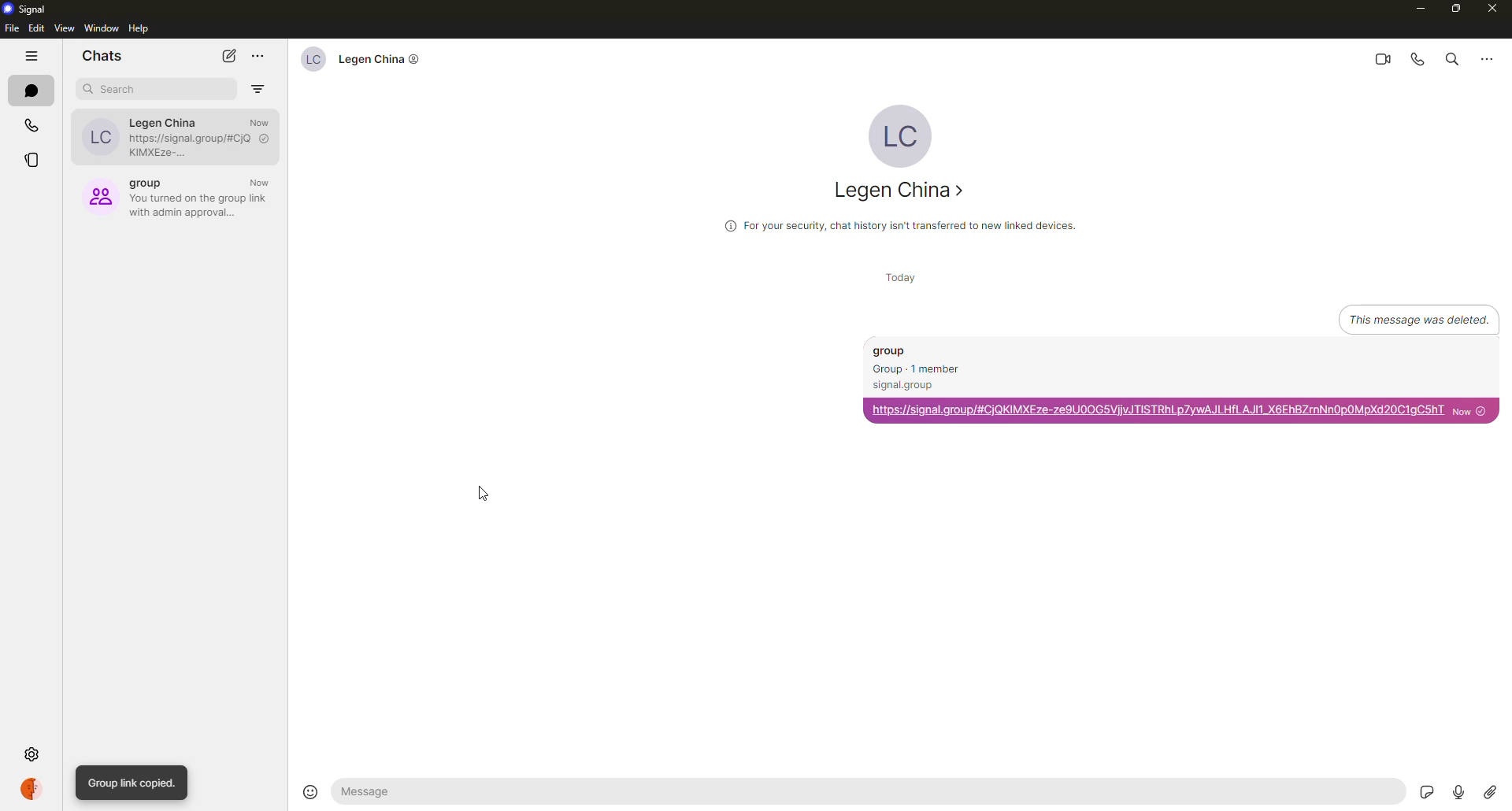  I want to click on contact, so click(903, 192).